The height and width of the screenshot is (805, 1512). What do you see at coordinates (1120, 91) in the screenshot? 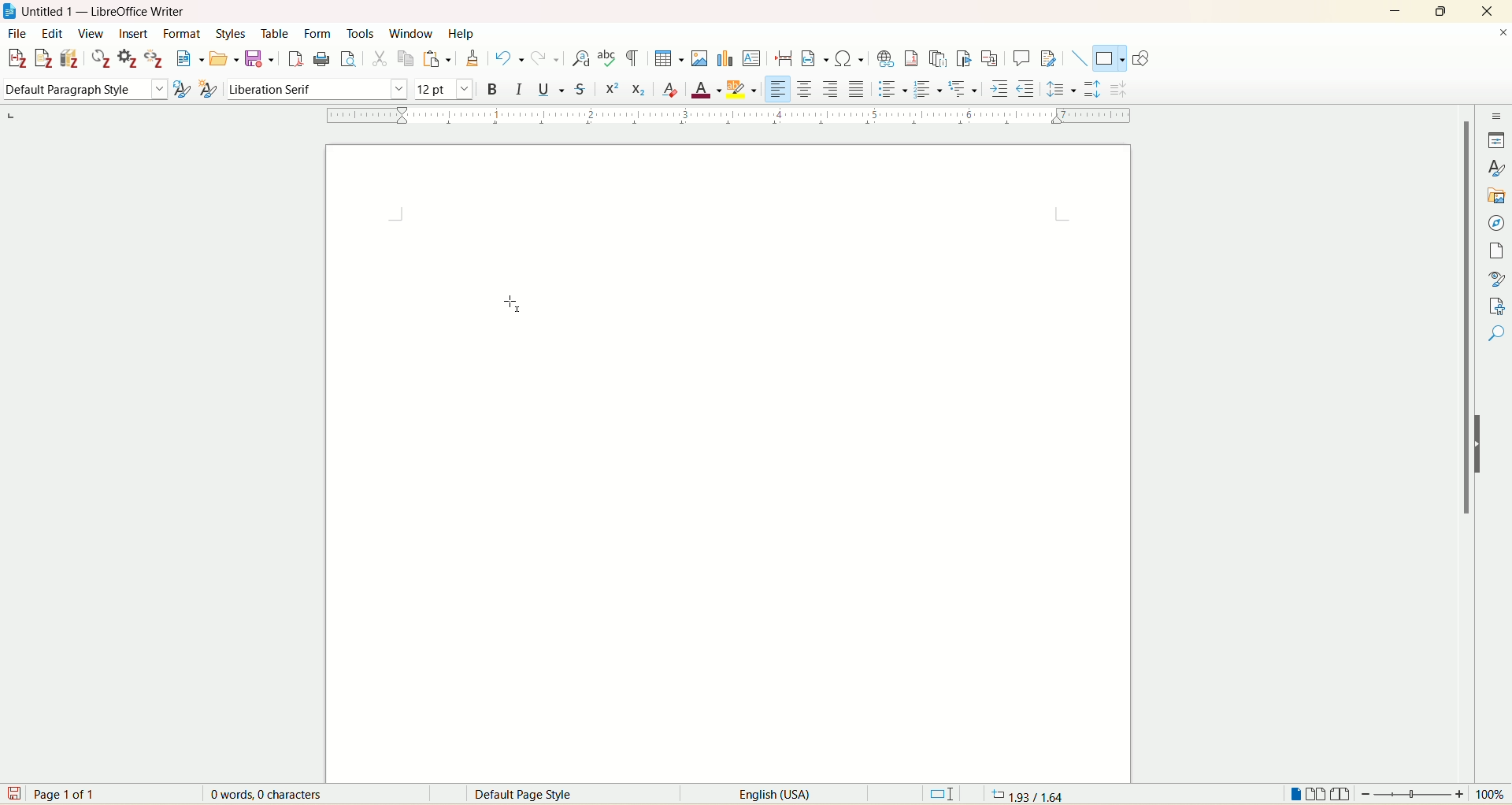
I see `decrease paragraph spacing` at bounding box center [1120, 91].